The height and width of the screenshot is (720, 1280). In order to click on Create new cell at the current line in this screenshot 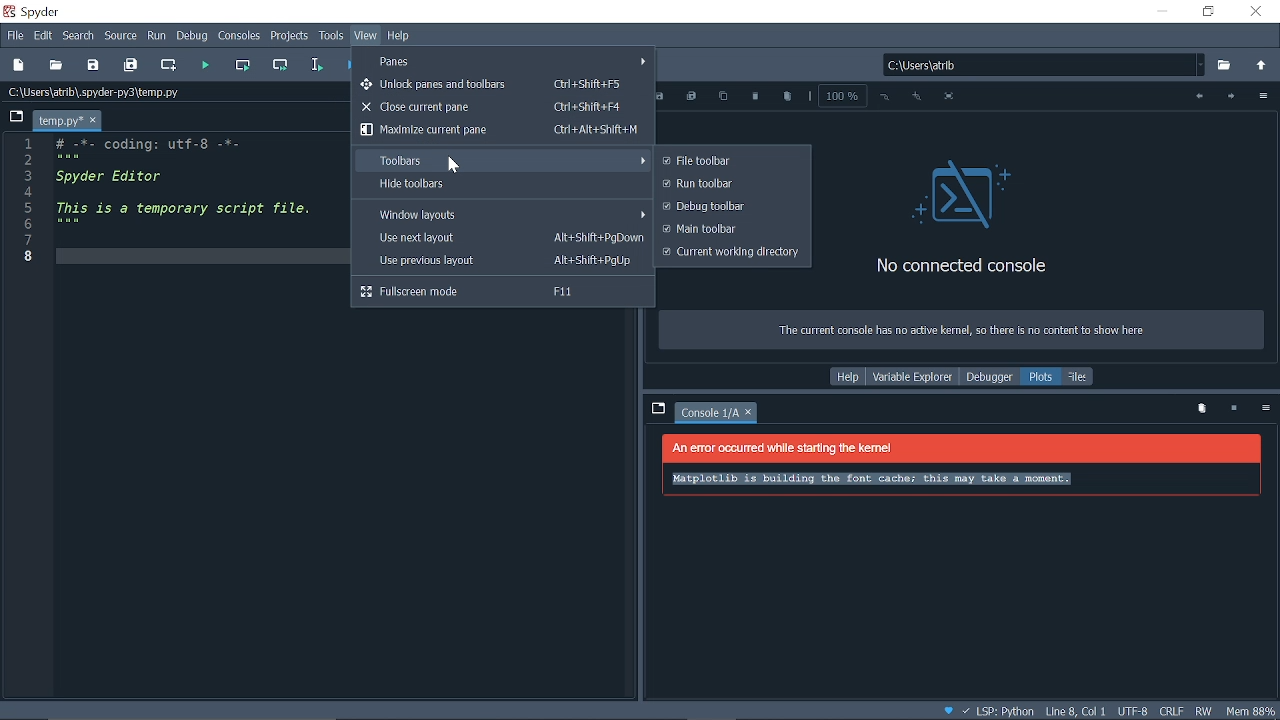, I will do `click(170, 66)`.